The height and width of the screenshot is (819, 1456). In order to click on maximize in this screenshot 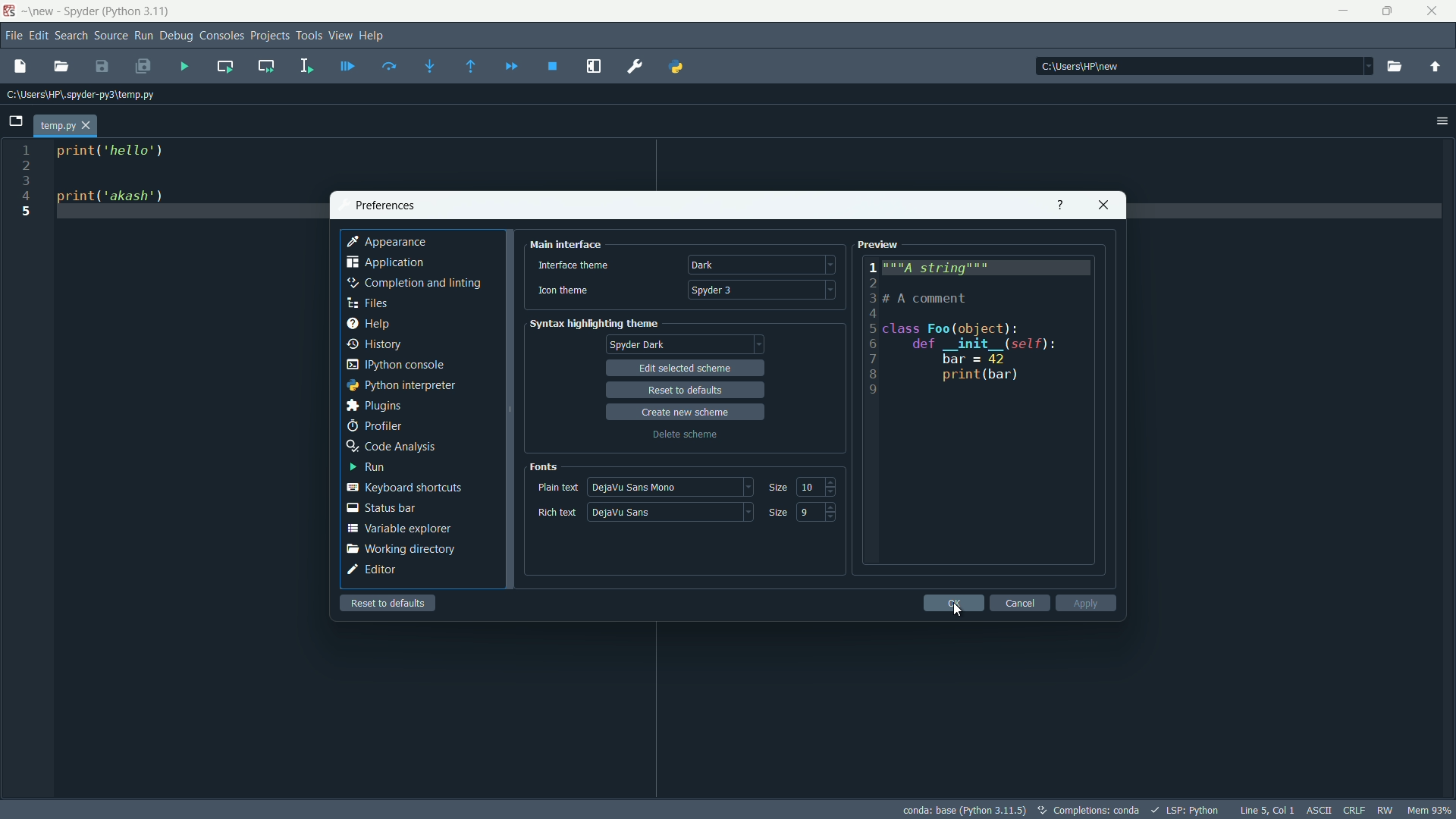, I will do `click(1387, 11)`.